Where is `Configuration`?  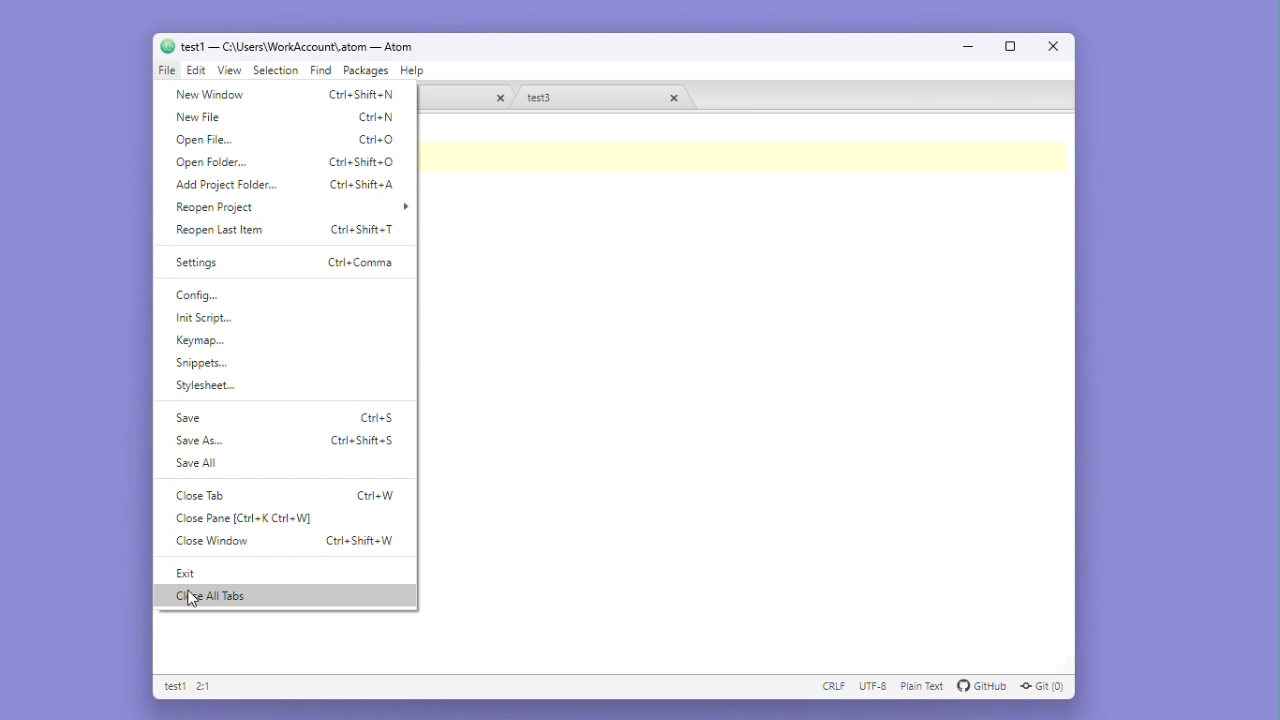 Configuration is located at coordinates (213, 297).